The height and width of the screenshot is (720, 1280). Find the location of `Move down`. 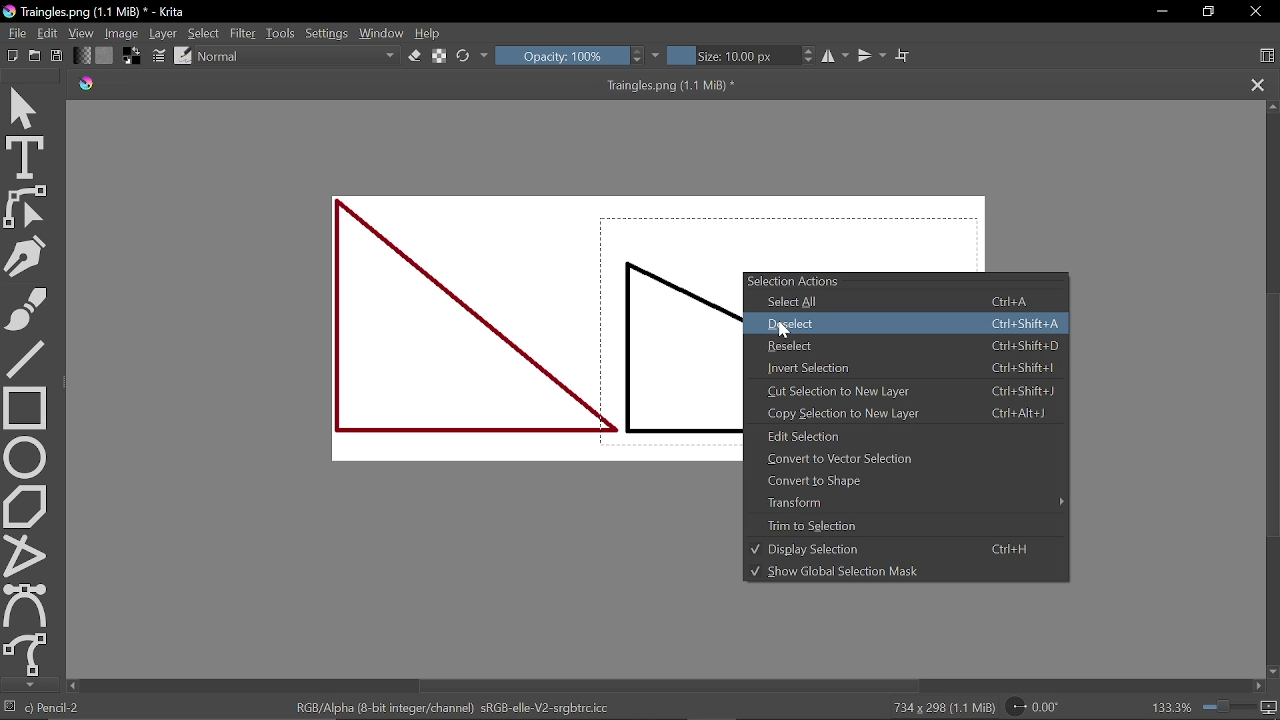

Move down is located at coordinates (1272, 672).